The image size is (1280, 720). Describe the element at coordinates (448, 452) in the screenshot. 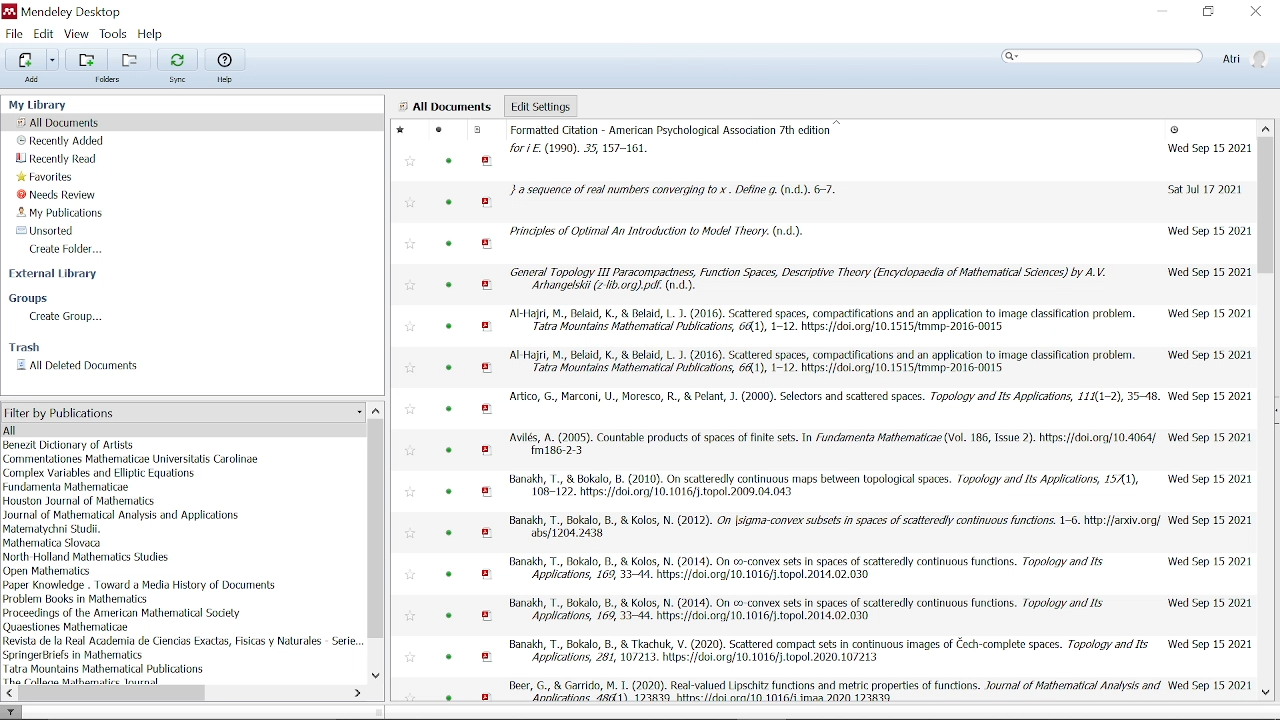

I see `status` at that location.